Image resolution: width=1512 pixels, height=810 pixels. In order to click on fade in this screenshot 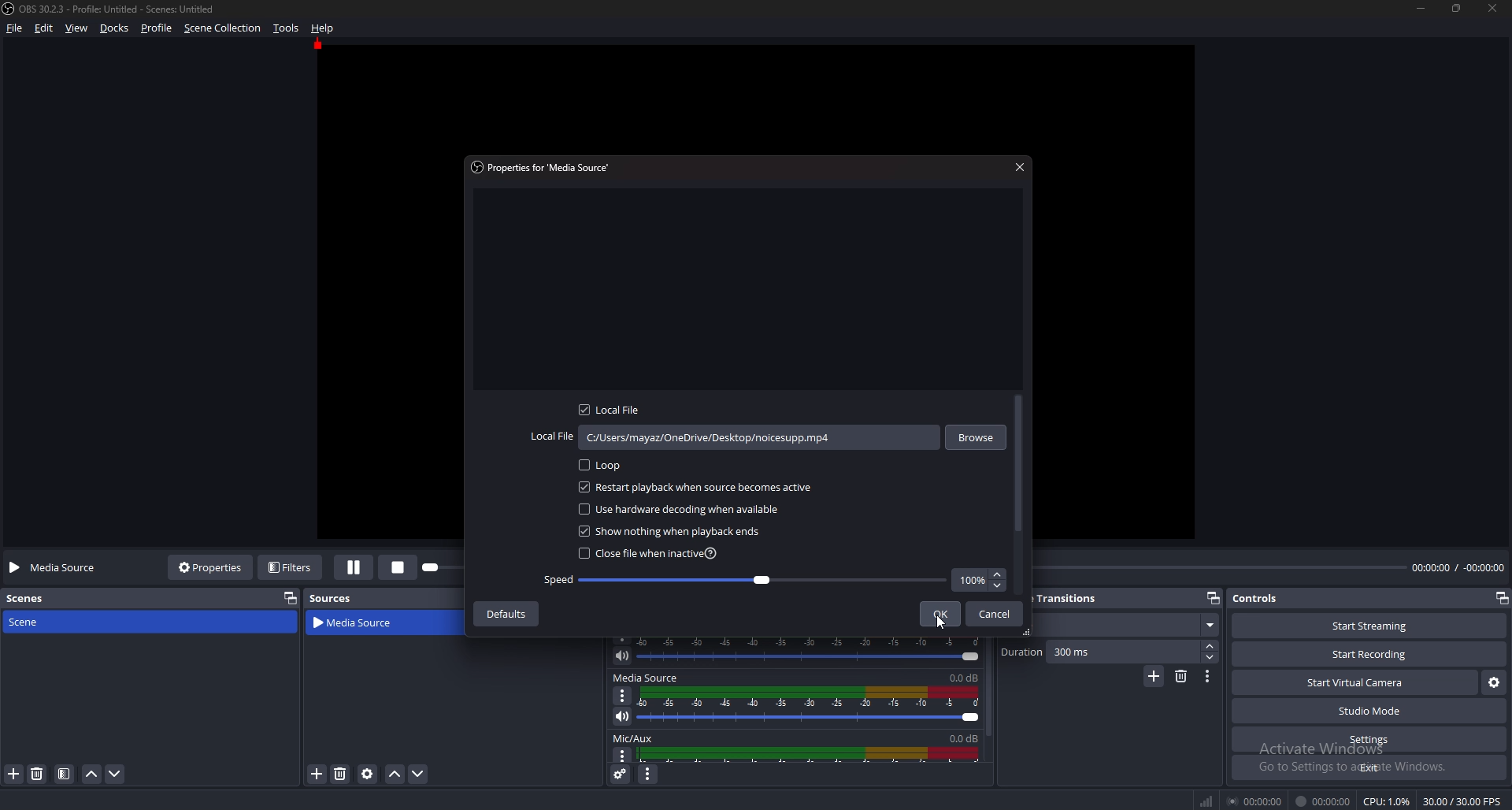, I will do `click(1125, 626)`.